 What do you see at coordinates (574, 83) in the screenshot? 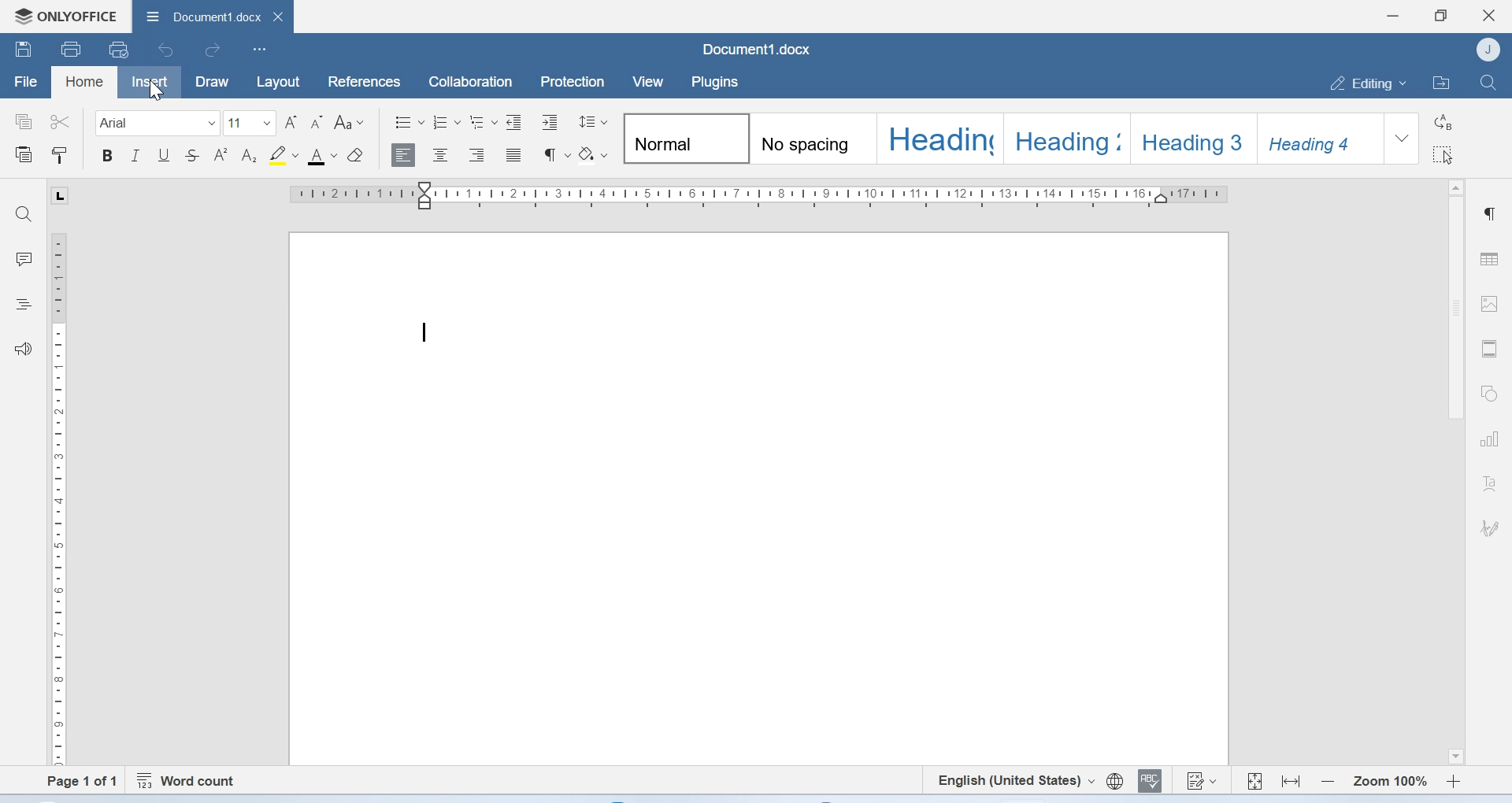
I see `Protection` at bounding box center [574, 83].